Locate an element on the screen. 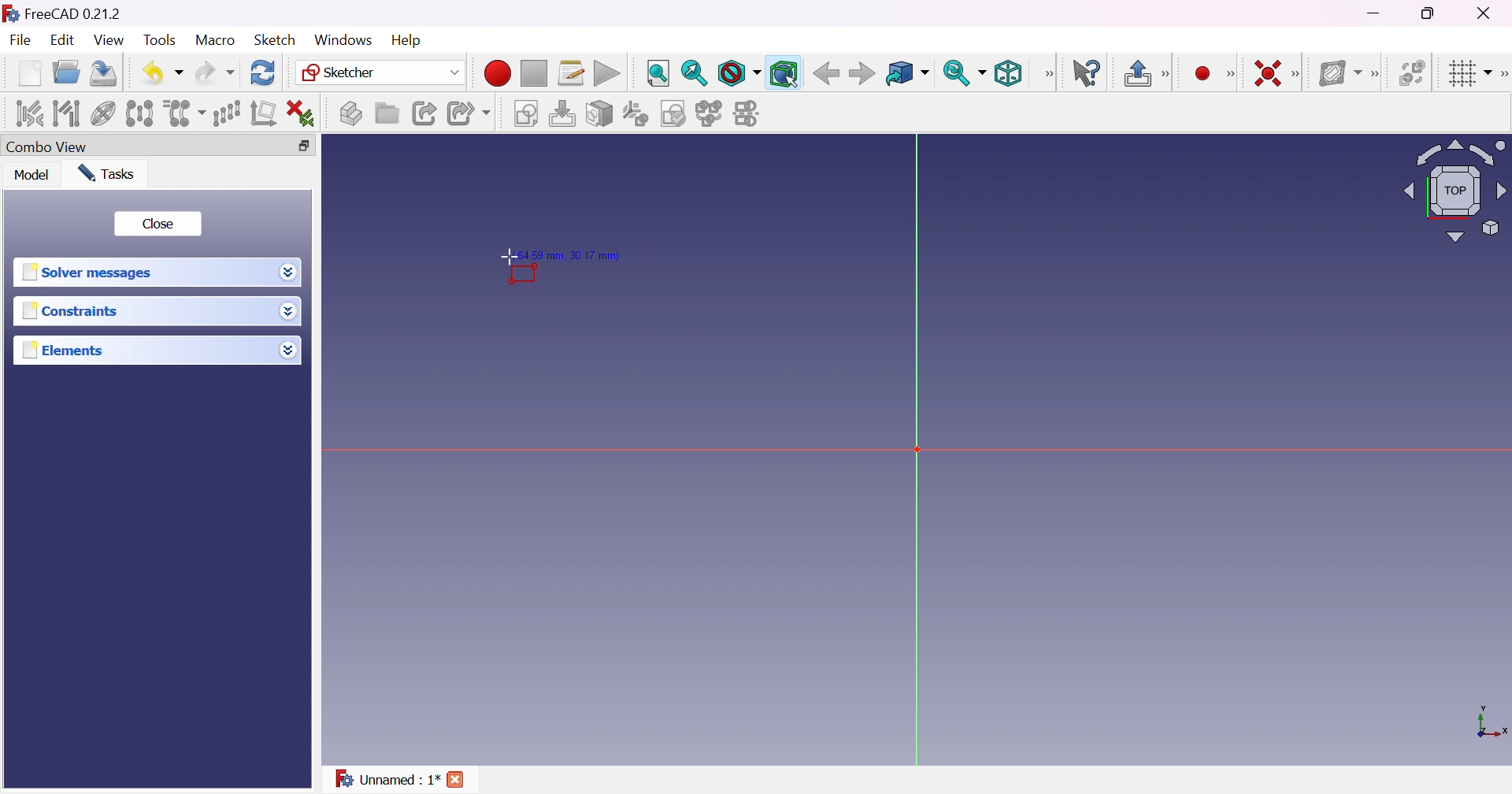 The width and height of the screenshot is (1512, 794). Make link is located at coordinates (427, 114).